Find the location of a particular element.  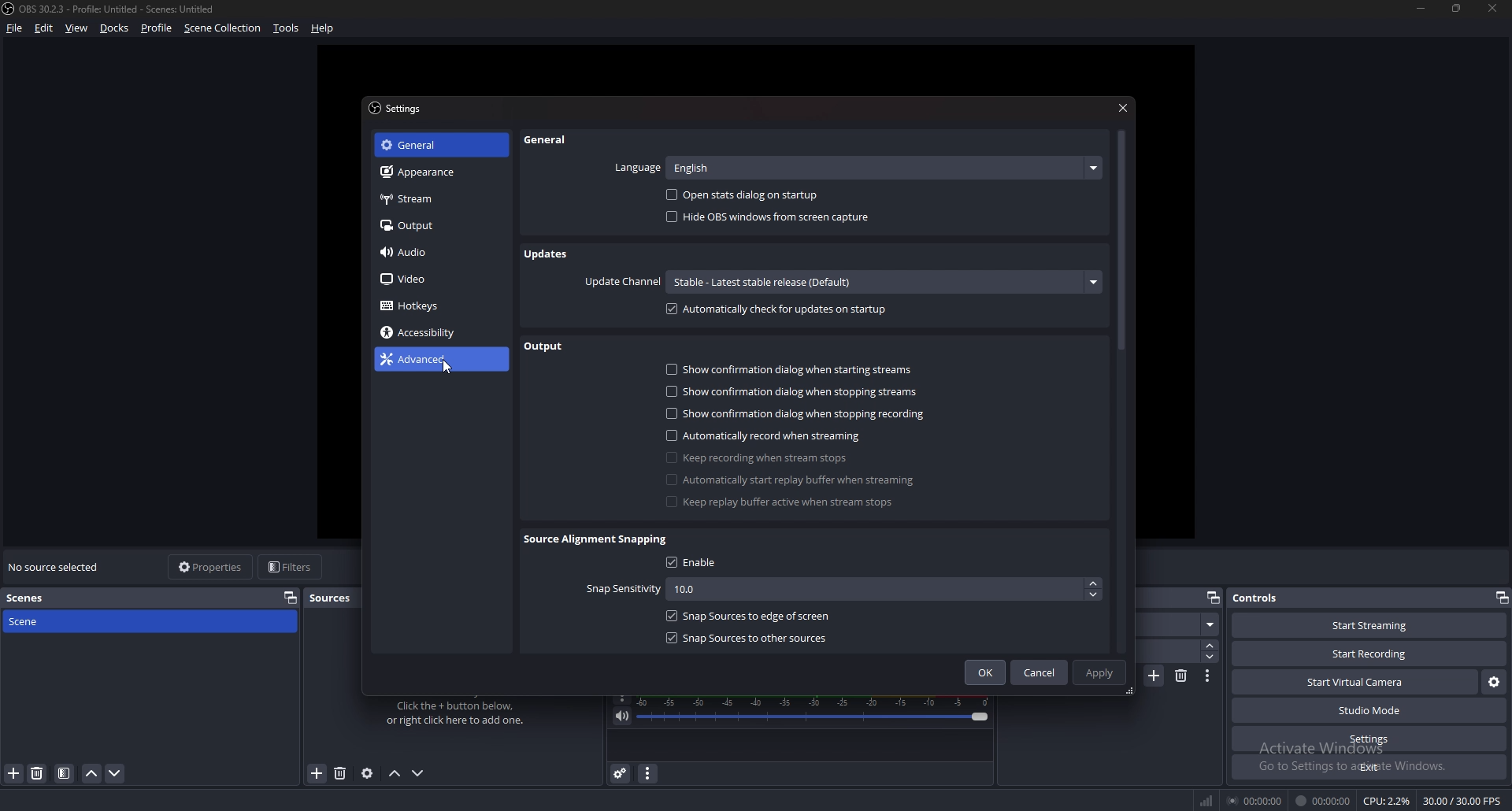

edit is located at coordinates (43, 28).